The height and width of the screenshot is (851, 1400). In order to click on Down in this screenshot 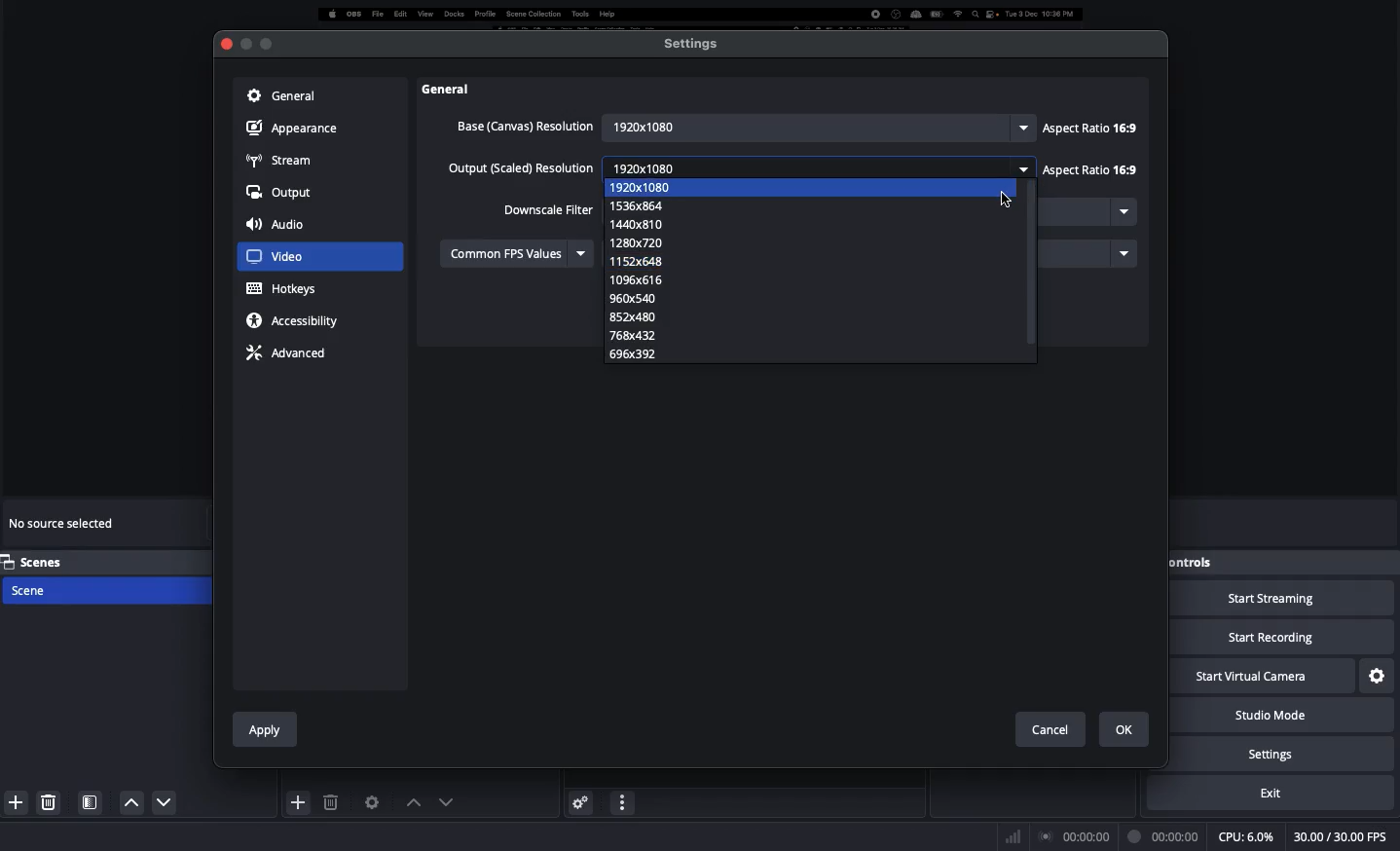, I will do `click(127, 802)`.